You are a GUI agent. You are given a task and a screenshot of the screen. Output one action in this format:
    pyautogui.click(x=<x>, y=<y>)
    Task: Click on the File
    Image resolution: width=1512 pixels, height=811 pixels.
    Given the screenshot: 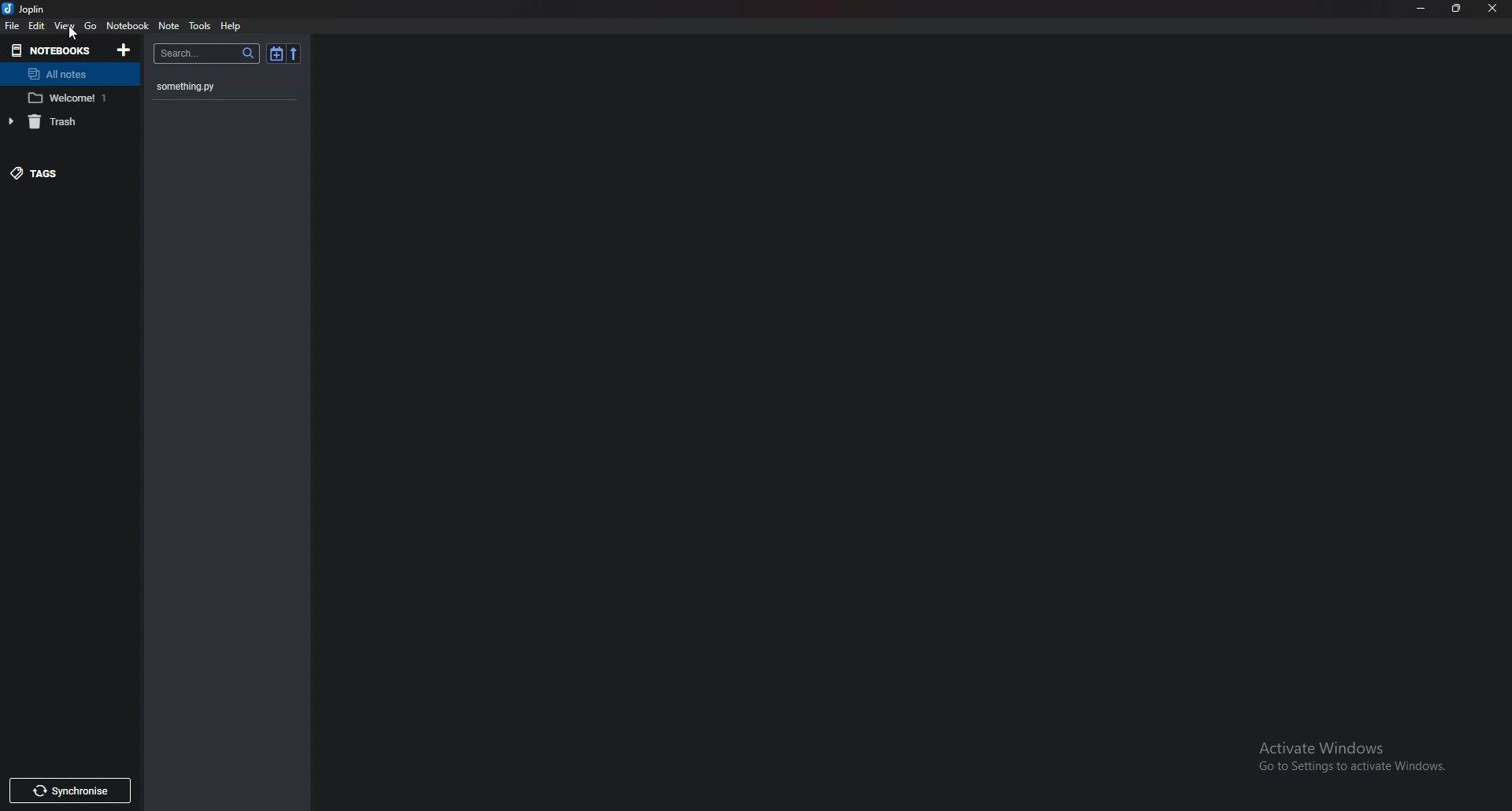 What is the action you would take?
    pyautogui.click(x=12, y=24)
    